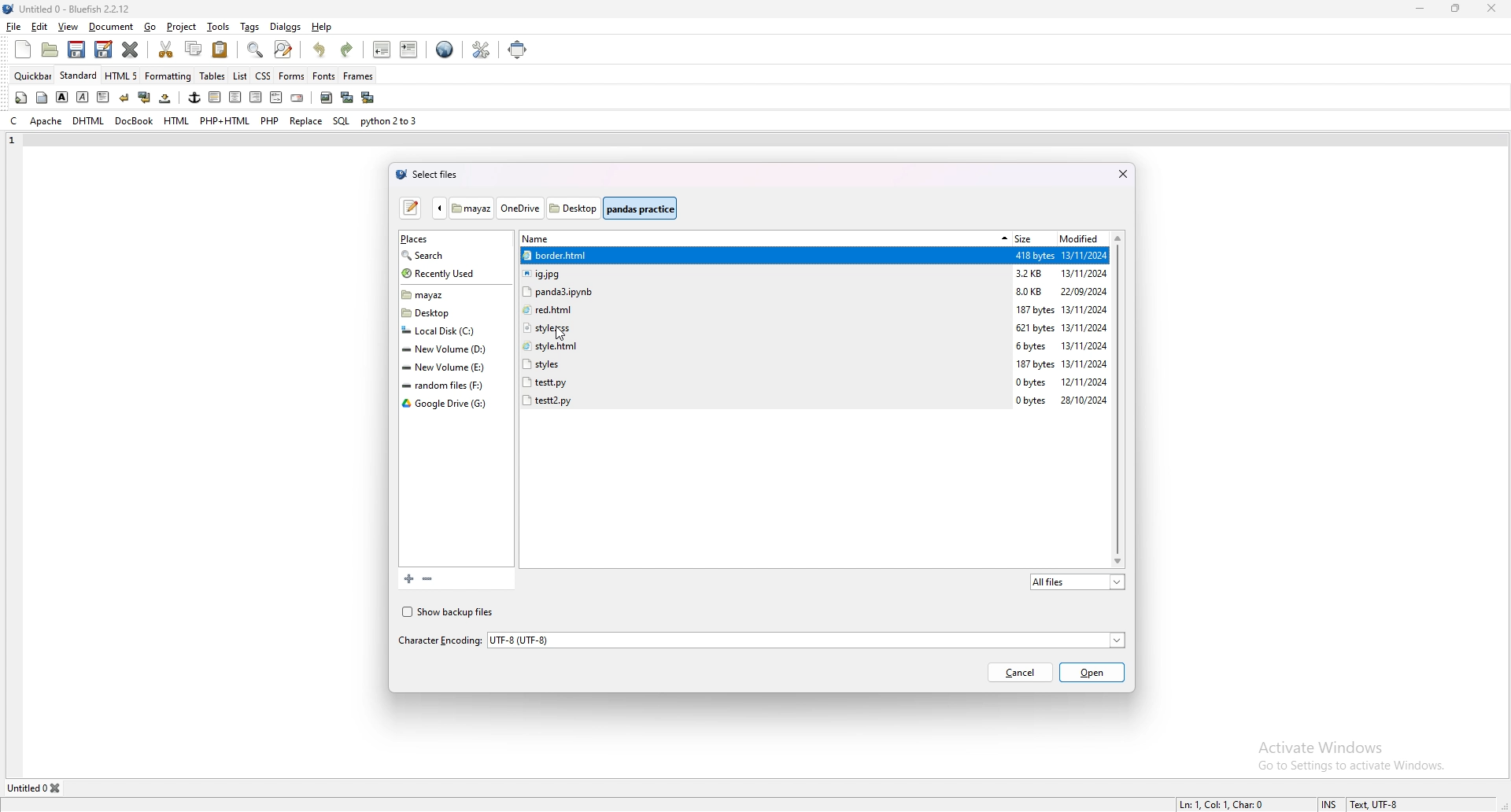 The height and width of the screenshot is (812, 1511). Describe the element at coordinates (1032, 383) in the screenshot. I see `0 bytes` at that location.